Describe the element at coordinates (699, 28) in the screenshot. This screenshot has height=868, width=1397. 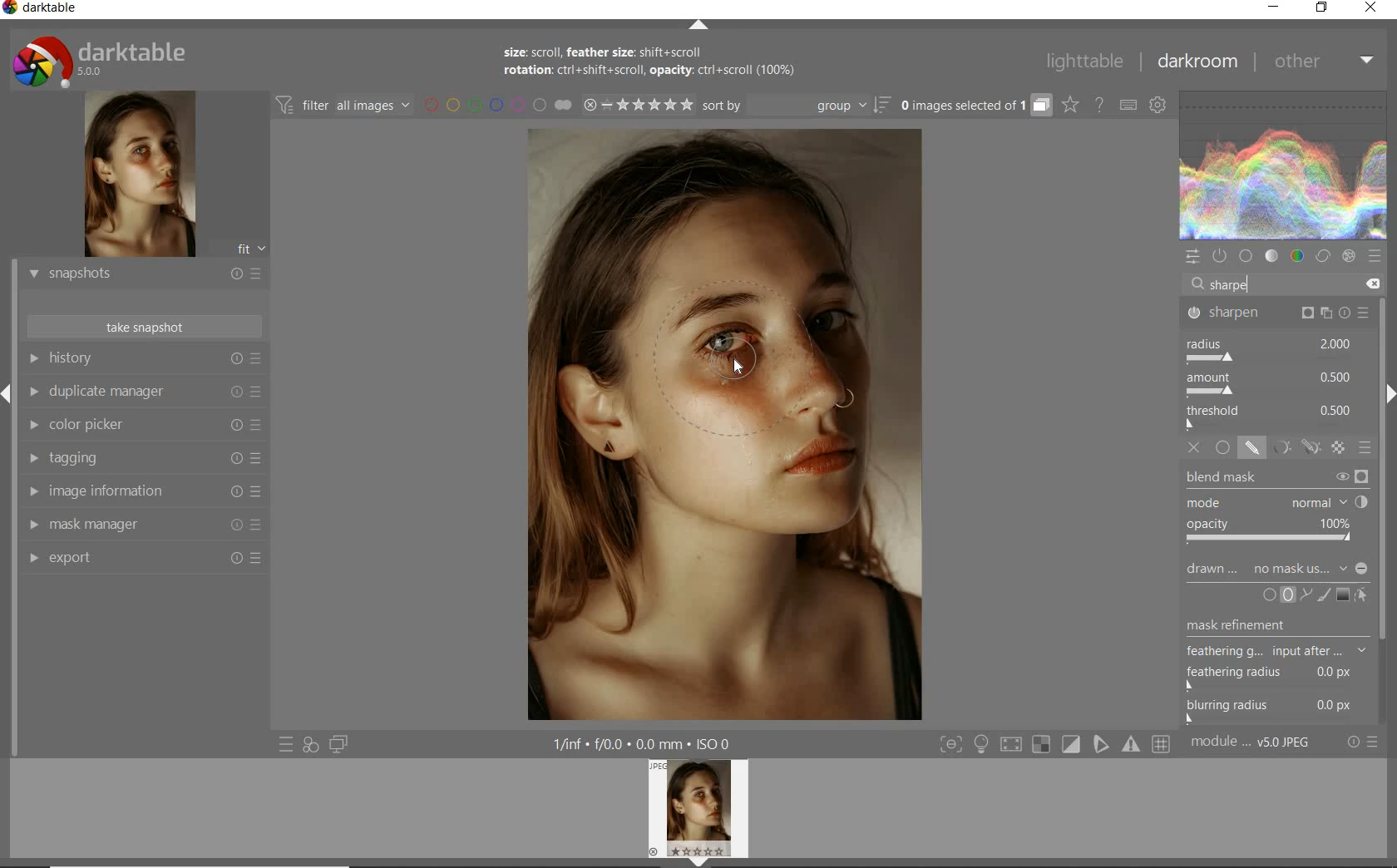
I see `expand/collapse` at that location.